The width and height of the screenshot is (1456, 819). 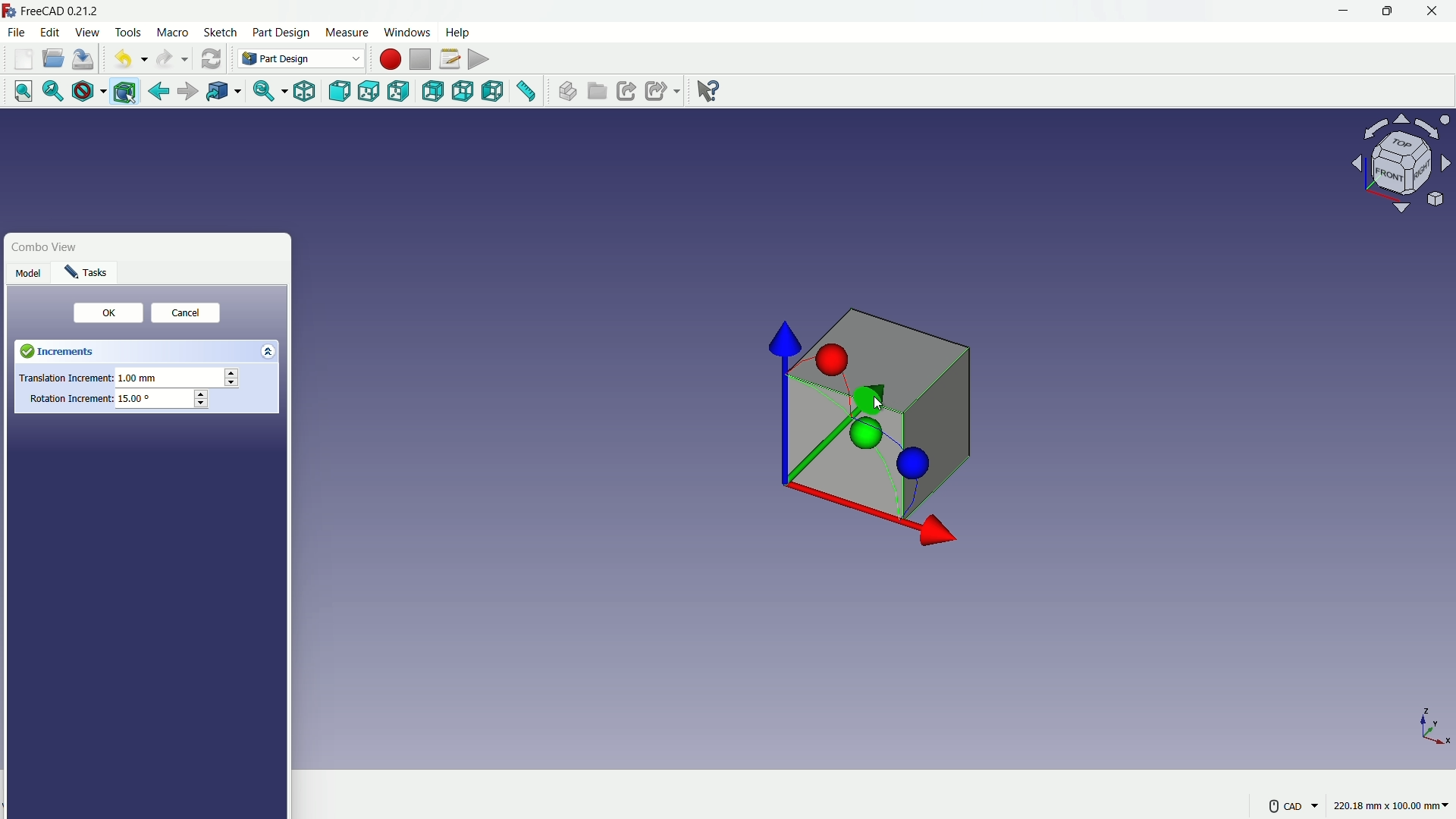 What do you see at coordinates (346, 33) in the screenshot?
I see `measure` at bounding box center [346, 33].